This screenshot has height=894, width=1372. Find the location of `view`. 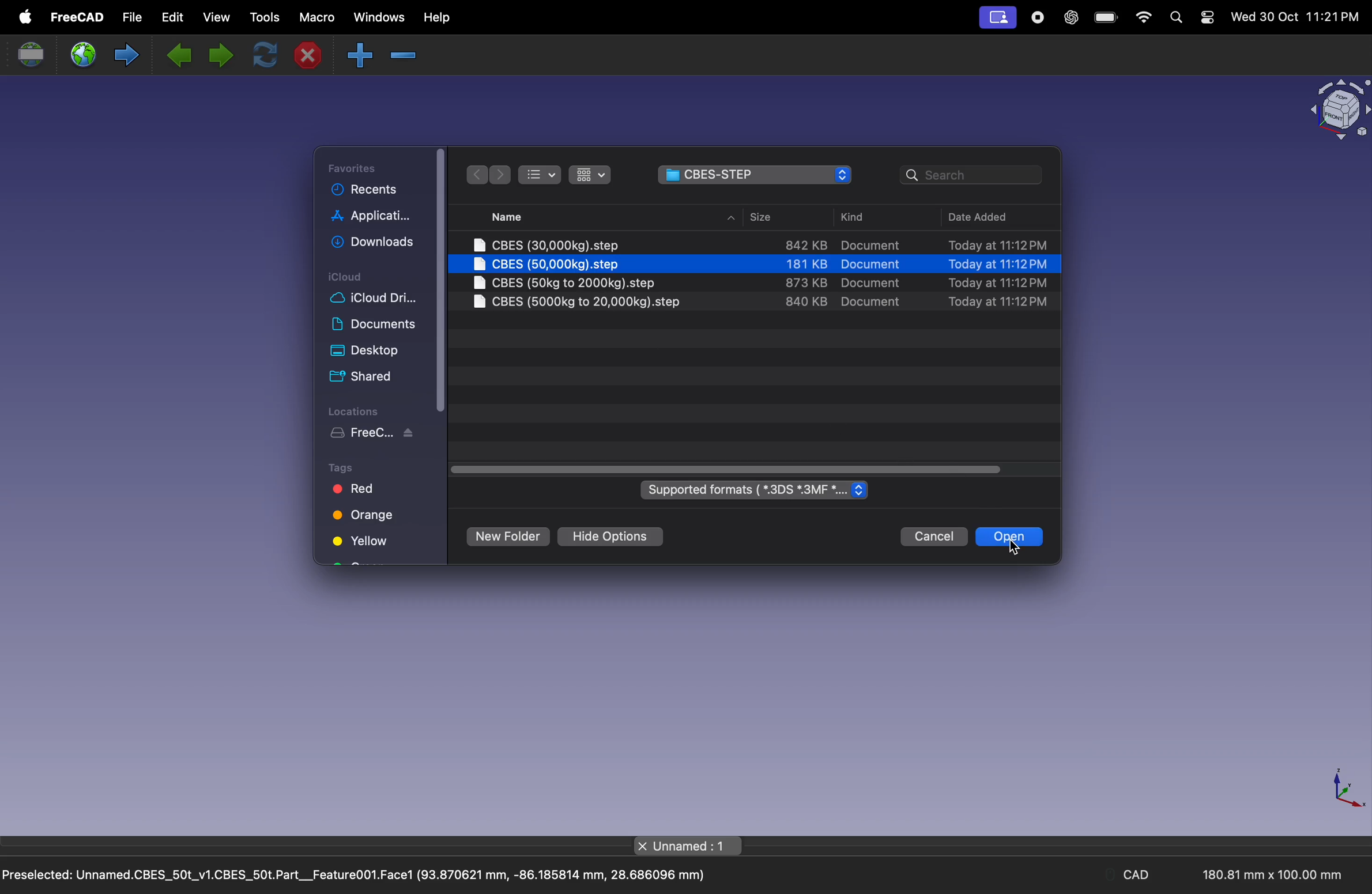

view is located at coordinates (217, 19).